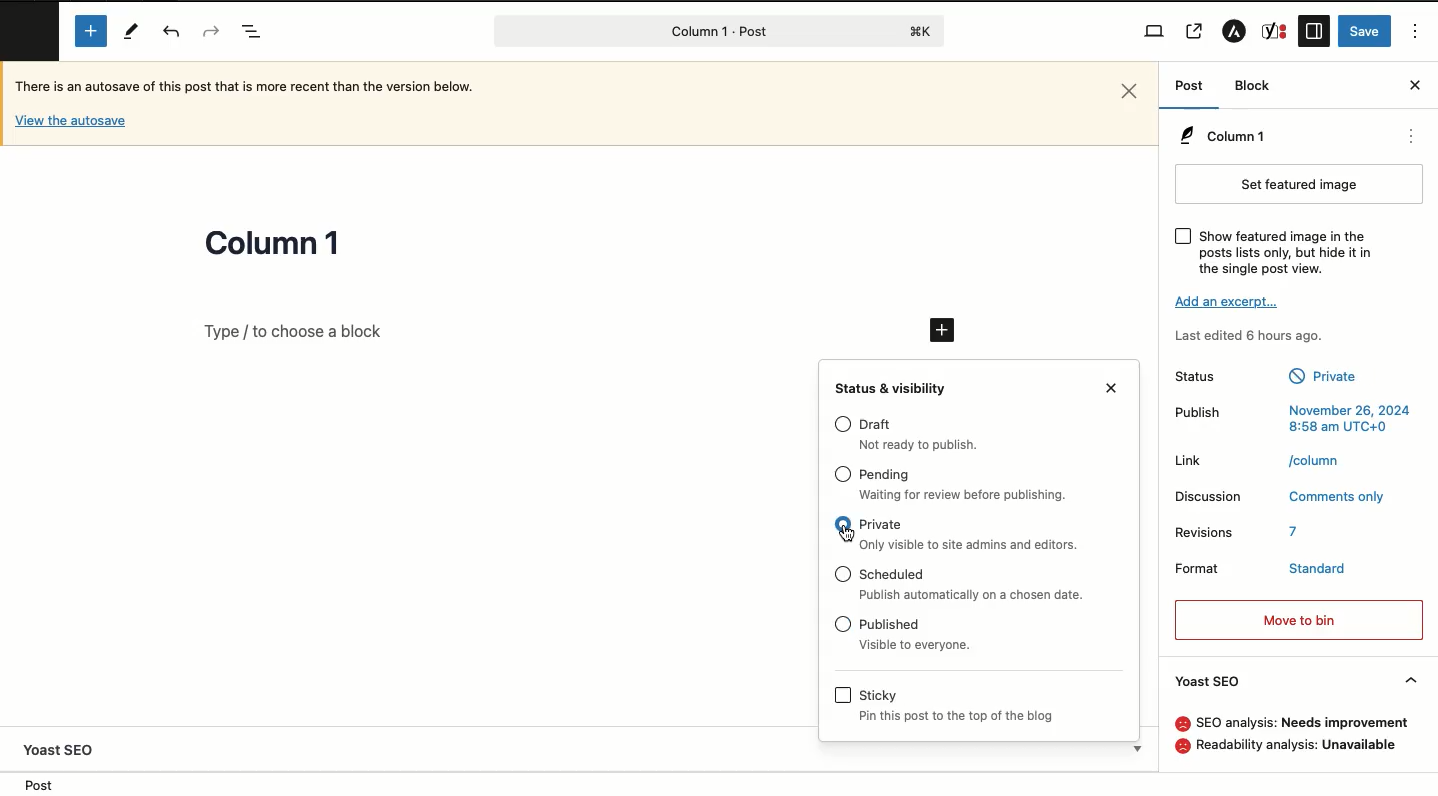 The image size is (1438, 796). I want to click on Astar, so click(1234, 34).